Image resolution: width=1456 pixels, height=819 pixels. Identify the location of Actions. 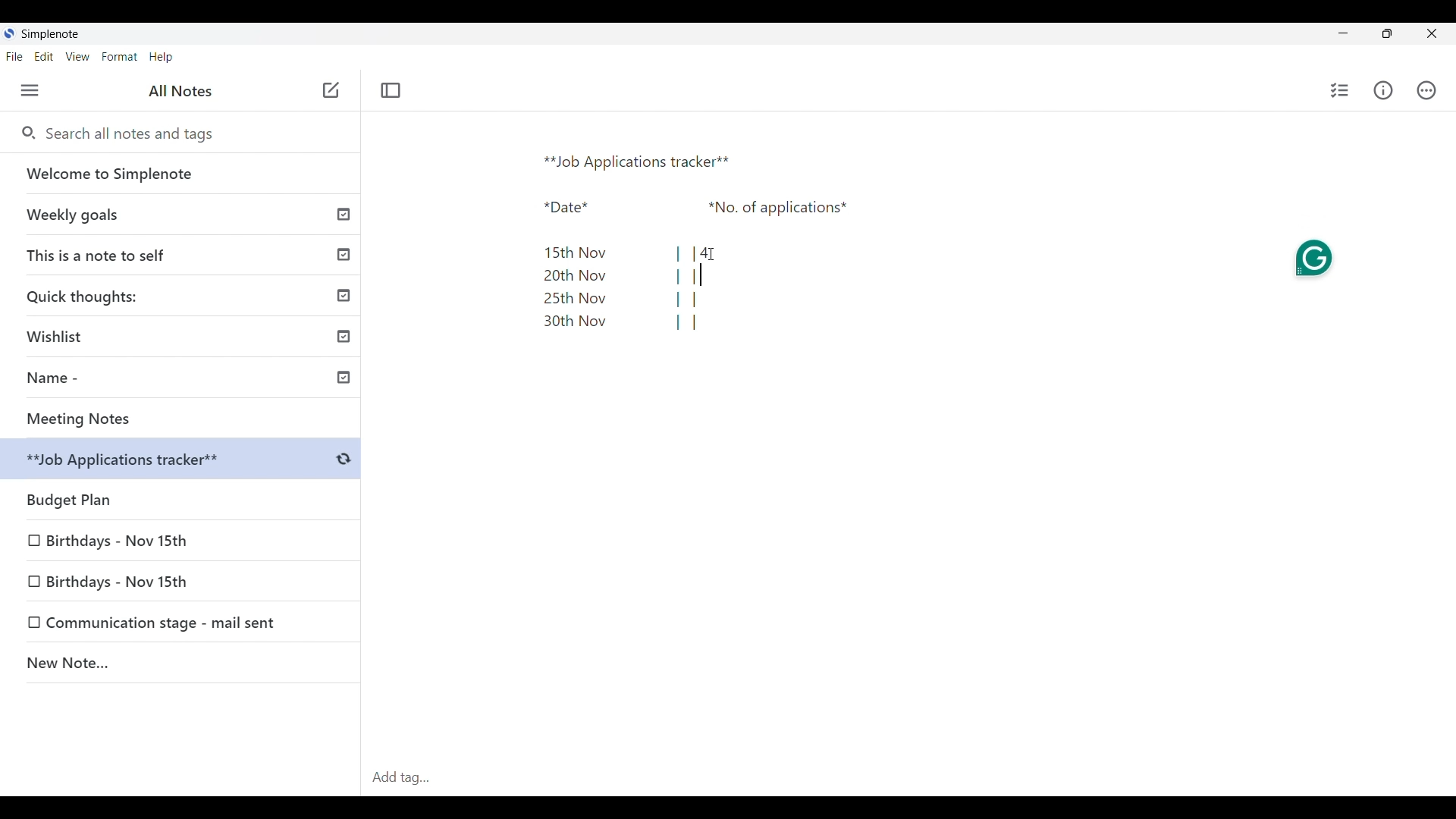
(1426, 90).